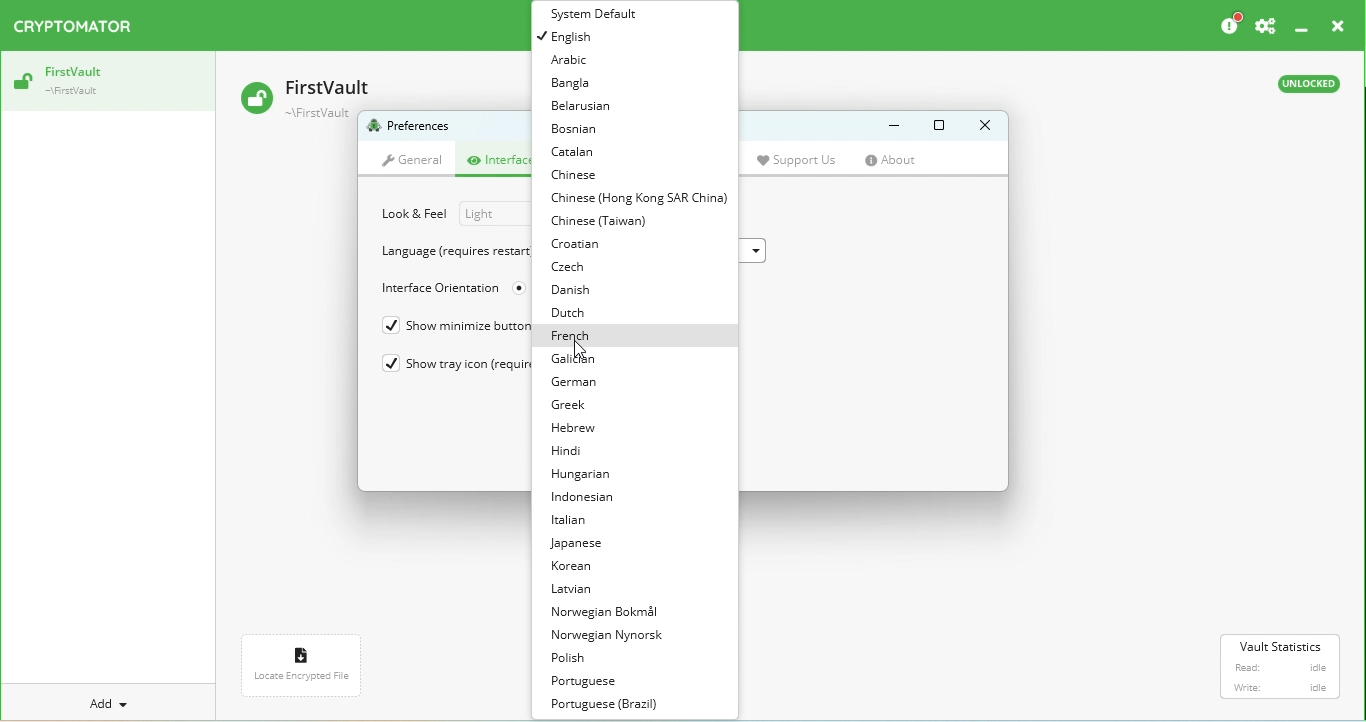 The height and width of the screenshot is (722, 1366). I want to click on Close, so click(980, 125).